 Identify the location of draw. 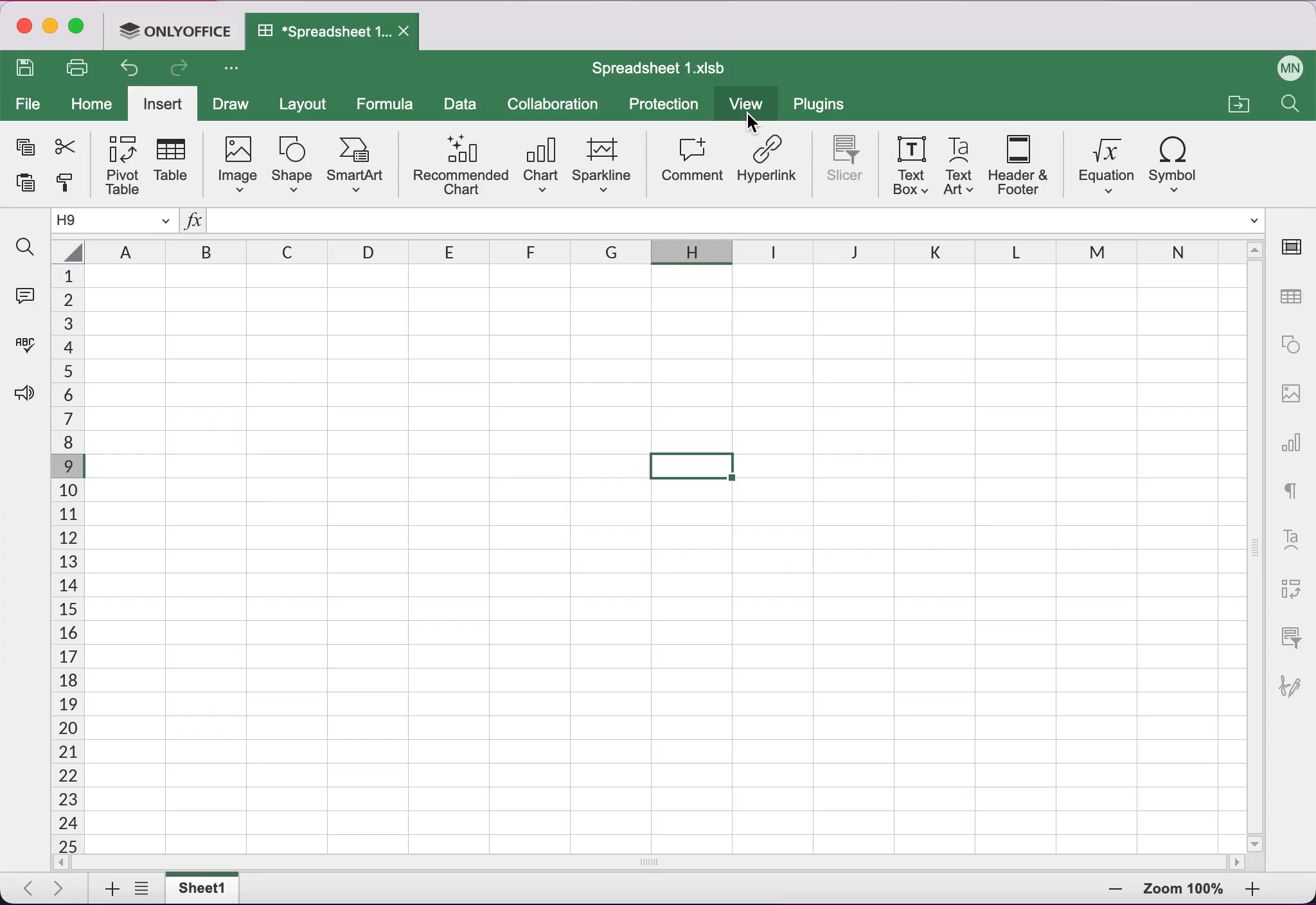
(235, 105).